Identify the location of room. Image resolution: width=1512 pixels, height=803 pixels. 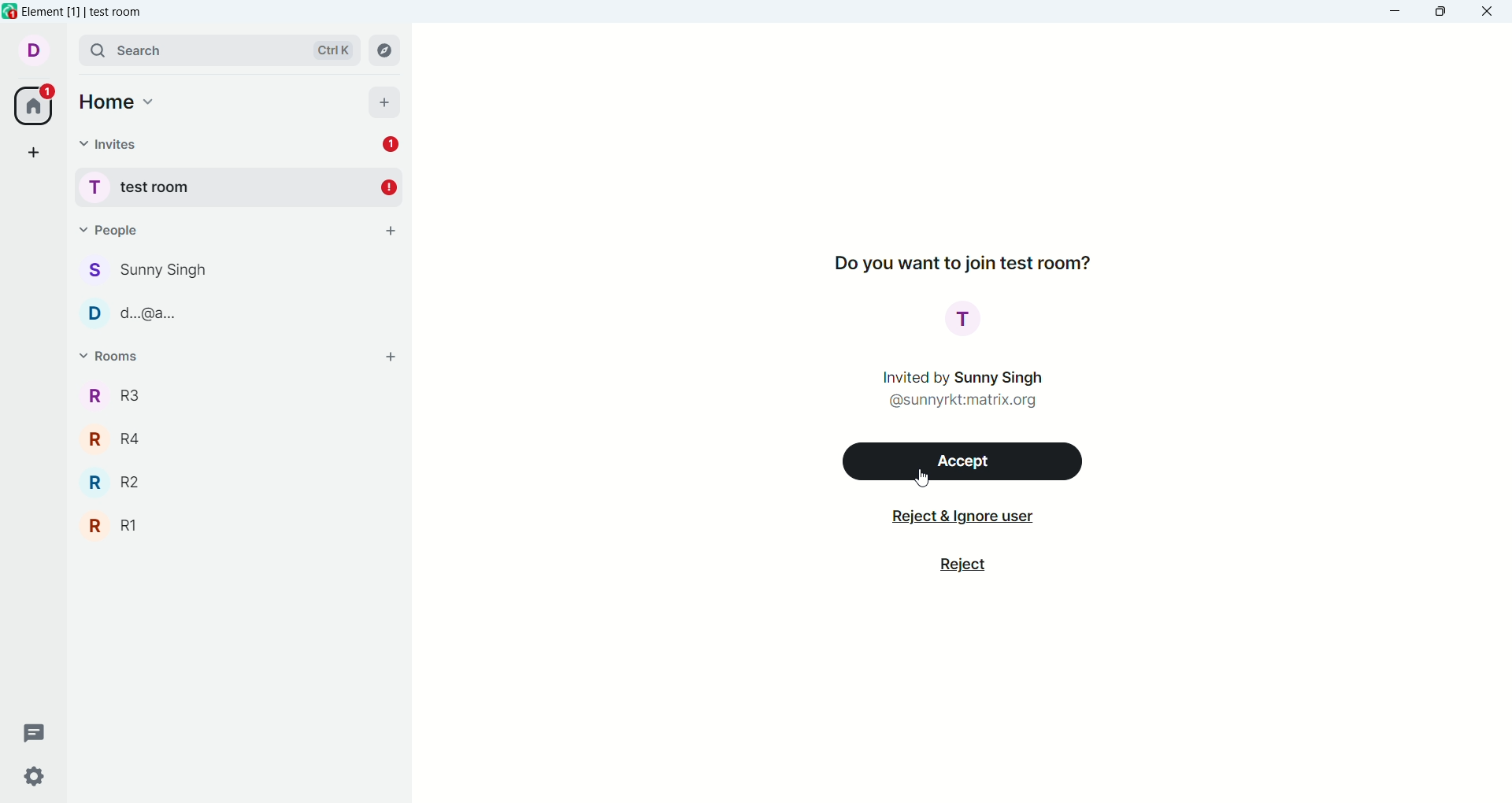
(965, 320).